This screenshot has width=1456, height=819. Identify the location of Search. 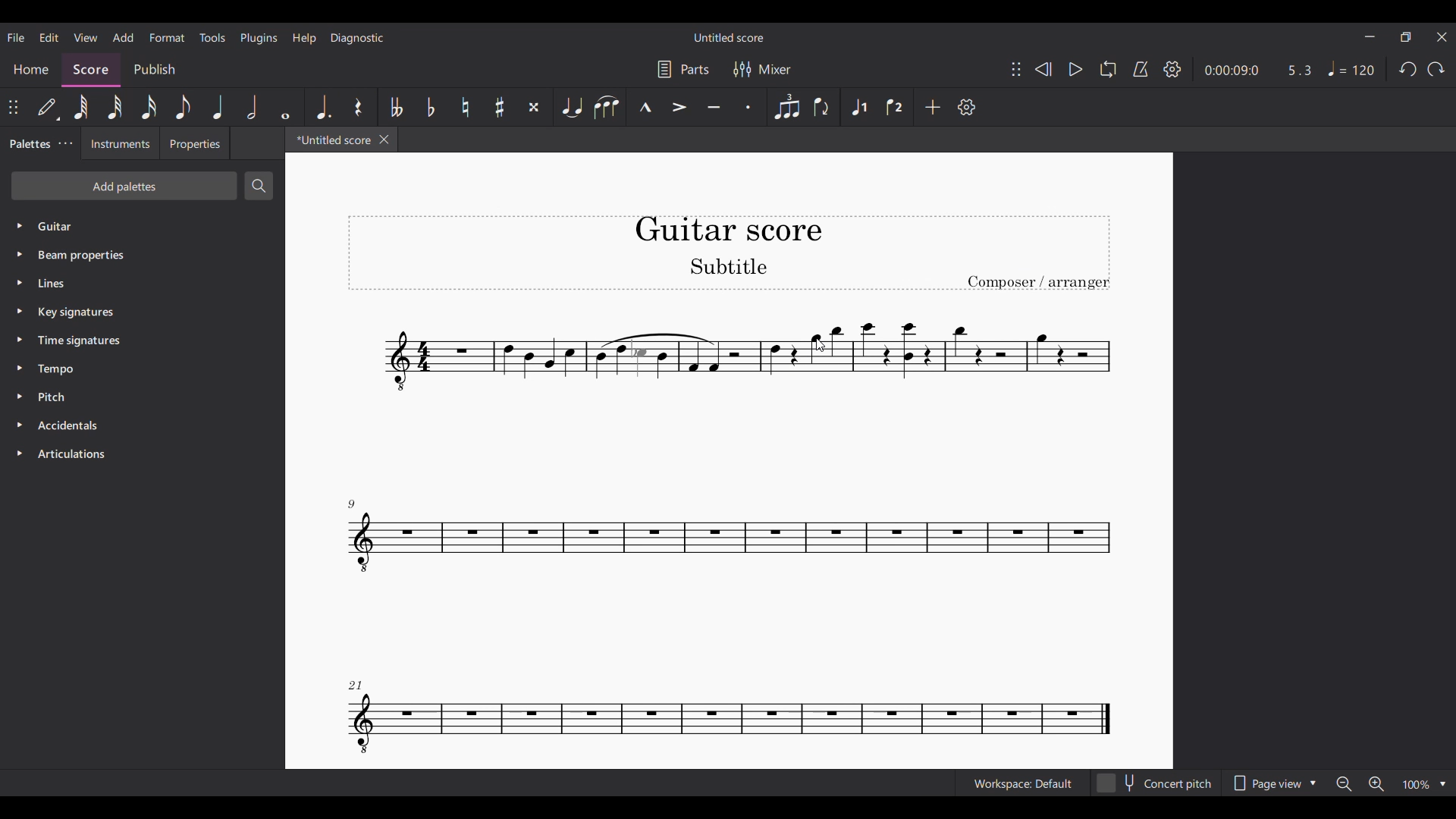
(259, 186).